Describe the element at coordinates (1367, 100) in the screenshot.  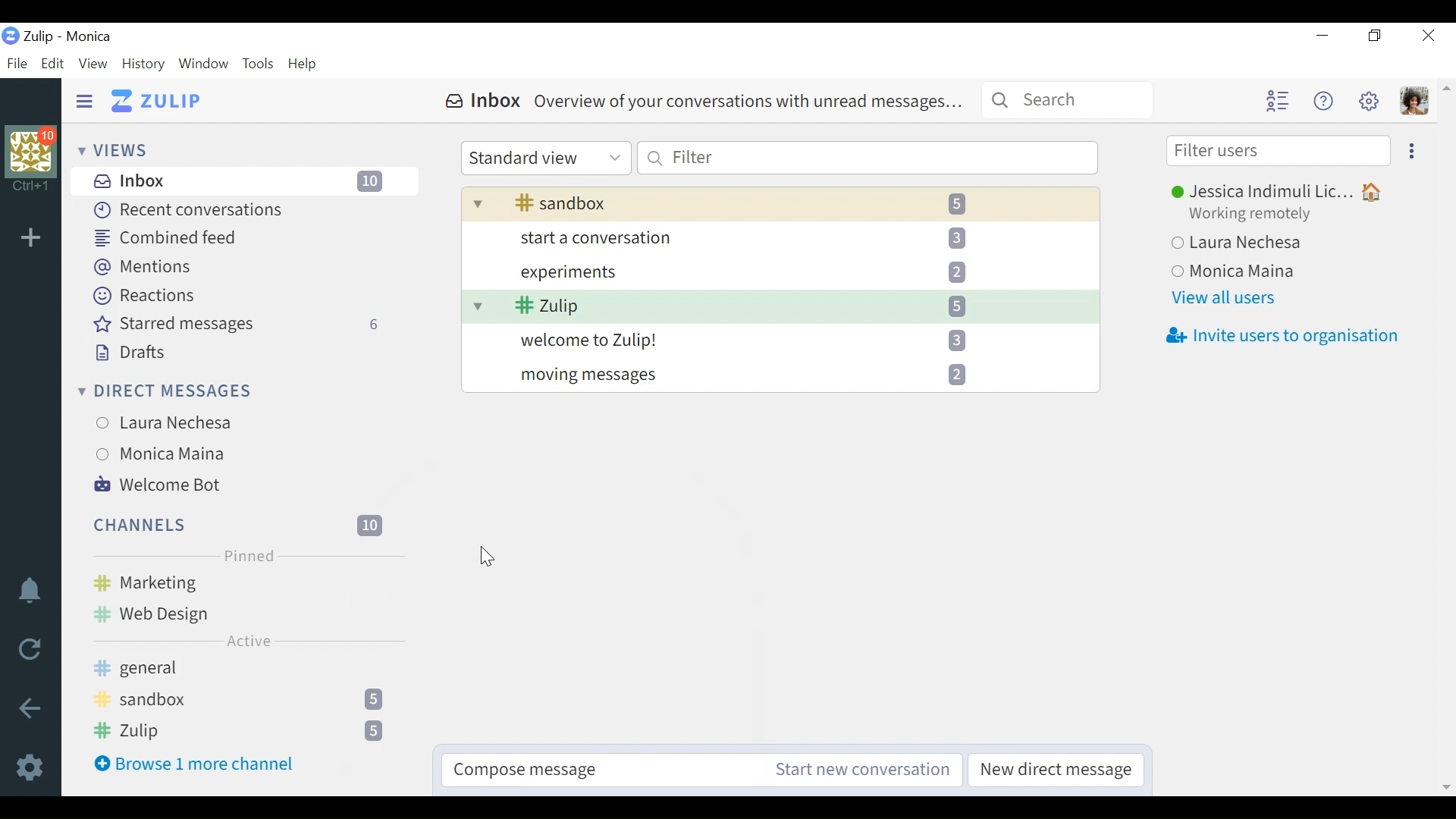
I see `Main menu` at that location.